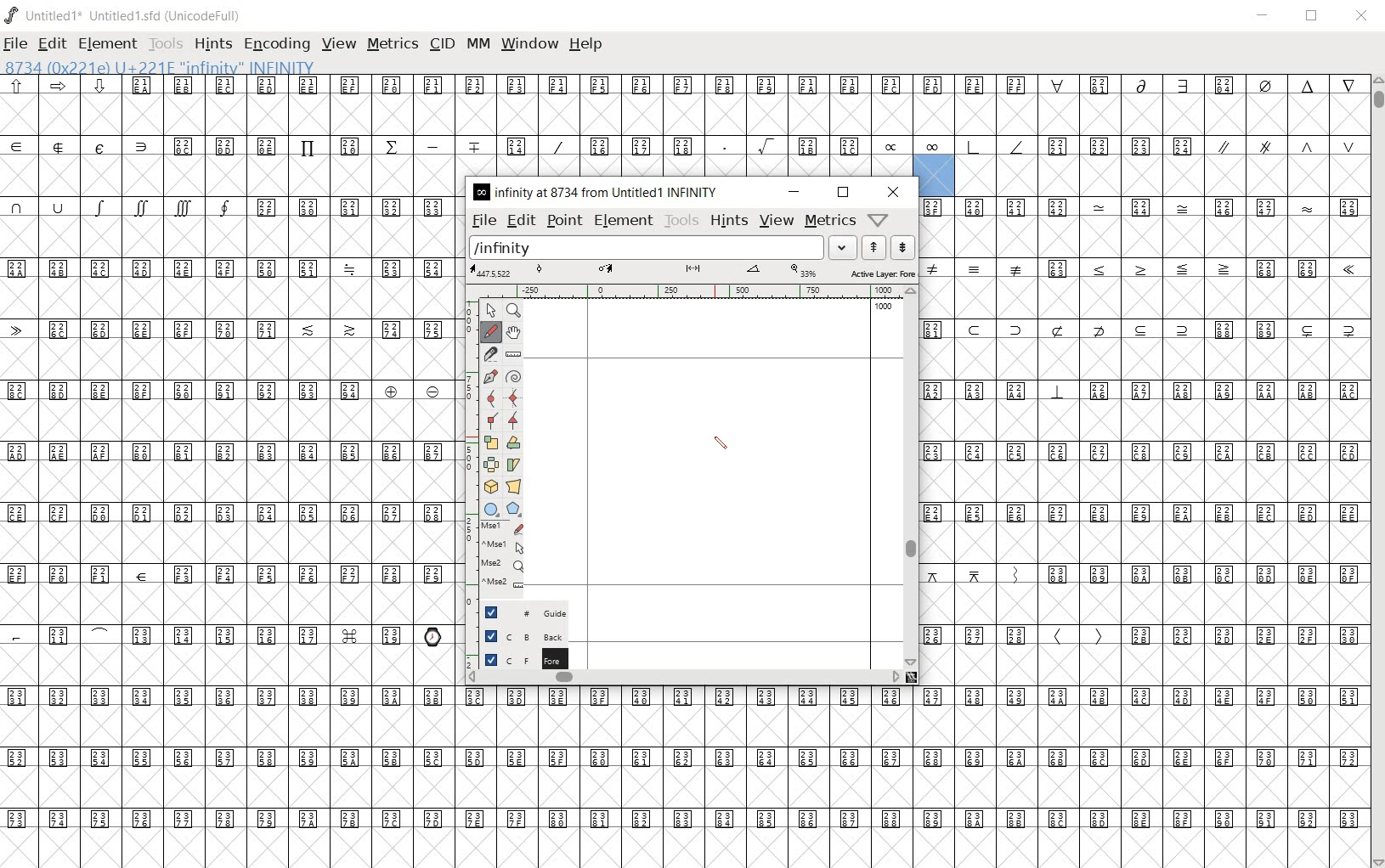 The image size is (1385, 868). What do you see at coordinates (230, 543) in the screenshot?
I see `empty glyph slots` at bounding box center [230, 543].